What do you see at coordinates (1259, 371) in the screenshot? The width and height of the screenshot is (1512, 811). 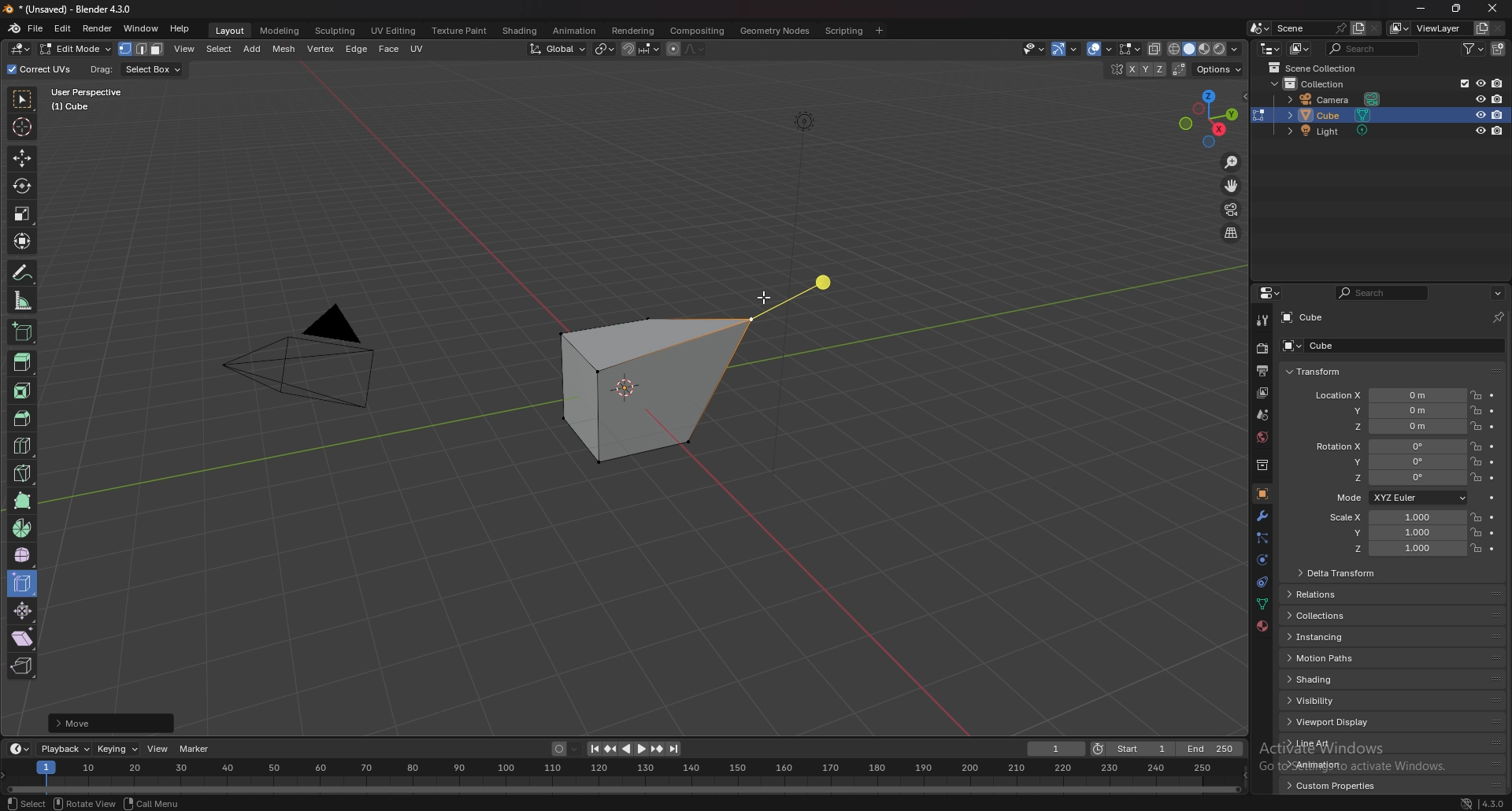 I see `output` at bounding box center [1259, 371].